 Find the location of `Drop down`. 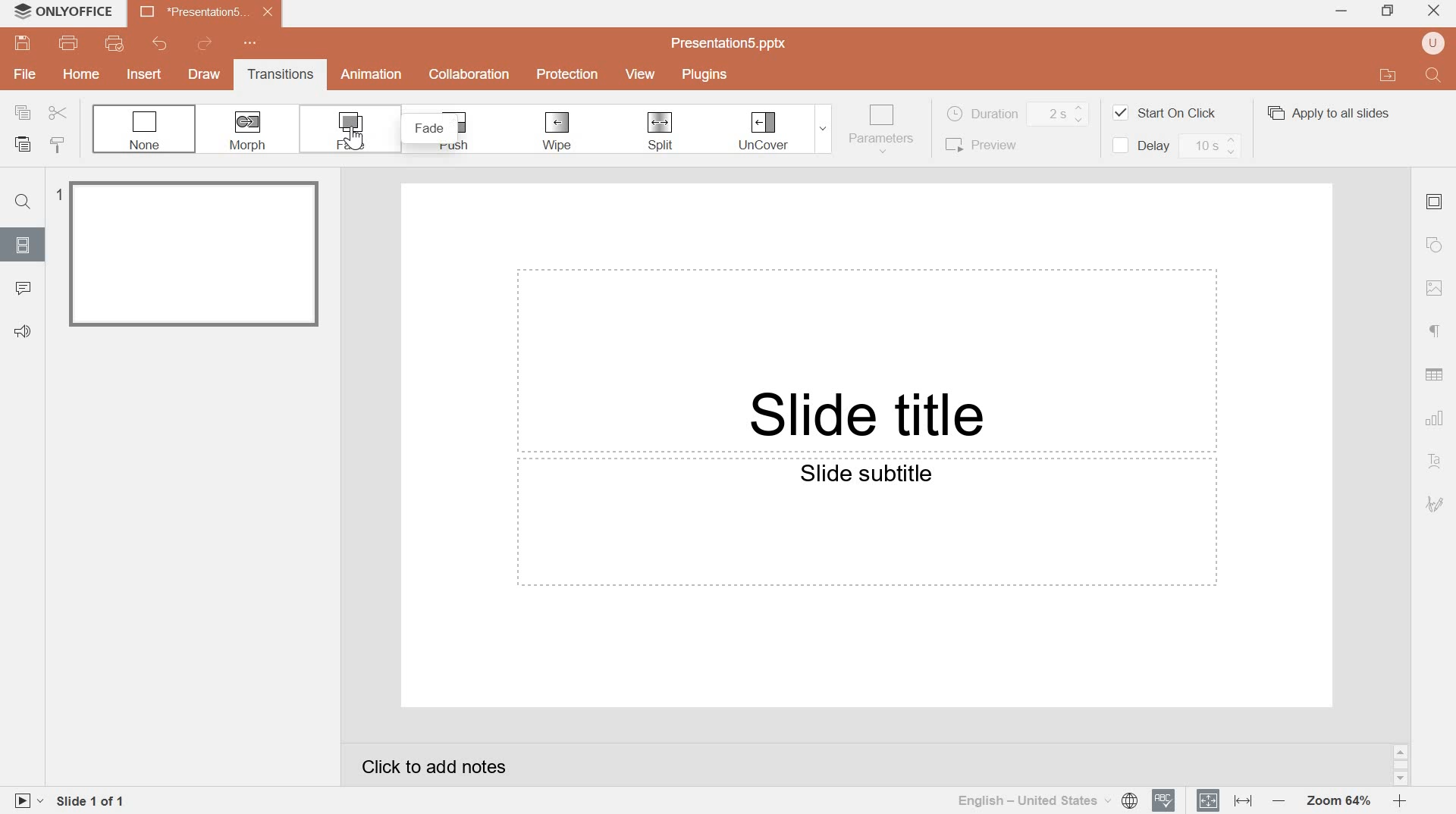

Drop down is located at coordinates (824, 130).